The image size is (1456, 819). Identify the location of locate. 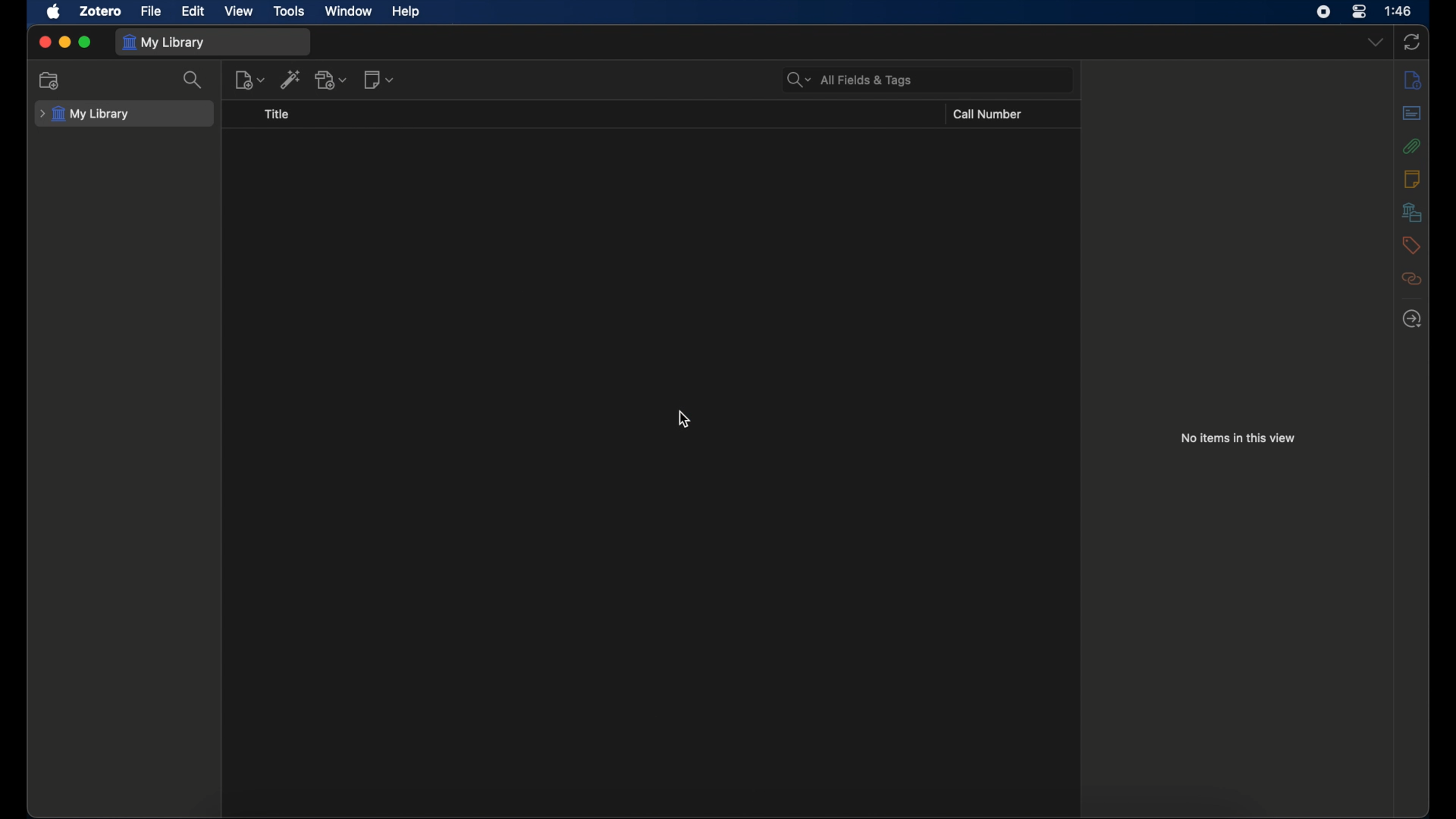
(1411, 319).